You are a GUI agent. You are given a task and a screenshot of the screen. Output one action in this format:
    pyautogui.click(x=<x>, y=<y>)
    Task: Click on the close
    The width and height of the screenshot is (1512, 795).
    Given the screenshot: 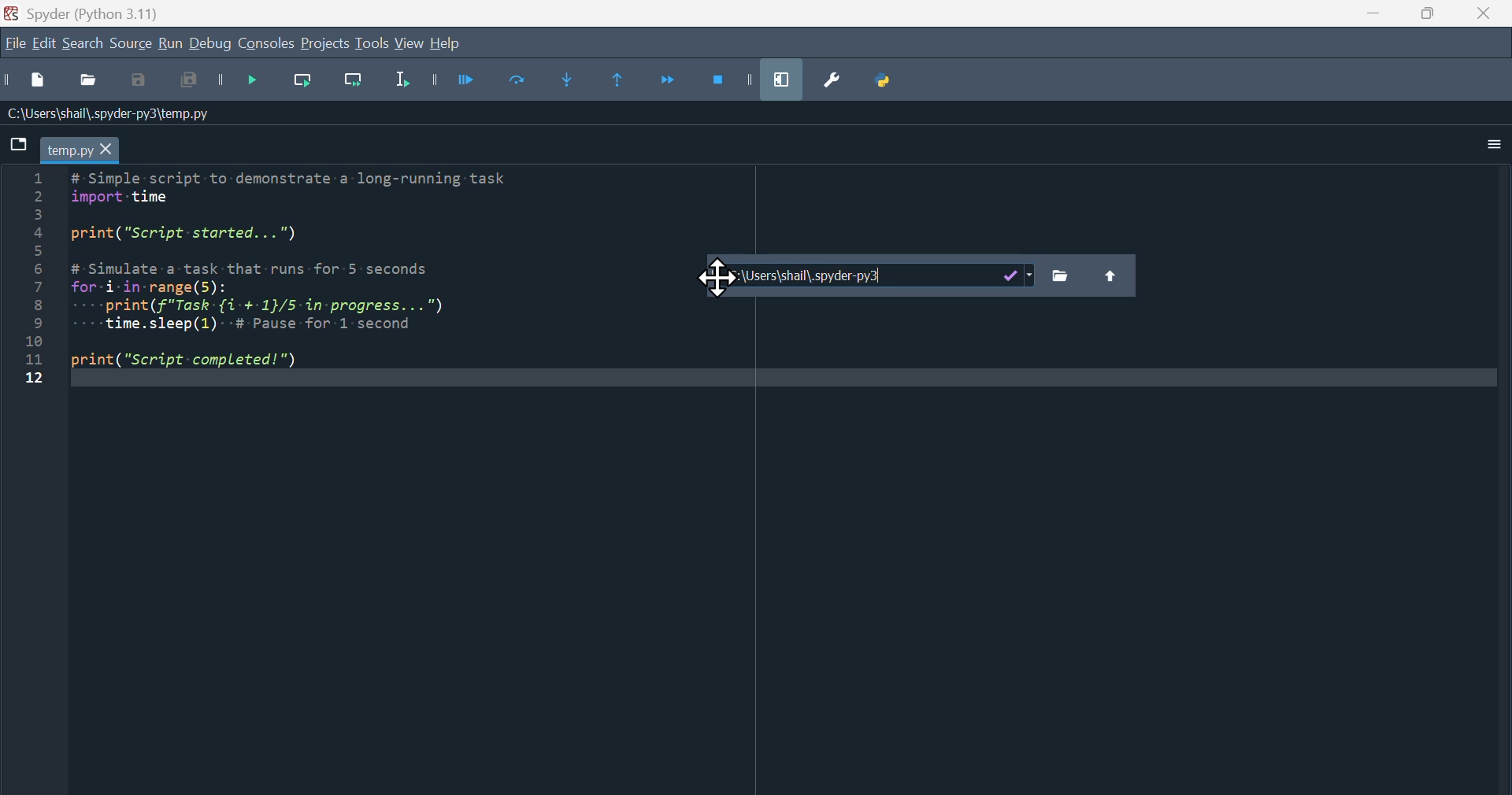 What is the action you would take?
    pyautogui.click(x=1487, y=18)
    